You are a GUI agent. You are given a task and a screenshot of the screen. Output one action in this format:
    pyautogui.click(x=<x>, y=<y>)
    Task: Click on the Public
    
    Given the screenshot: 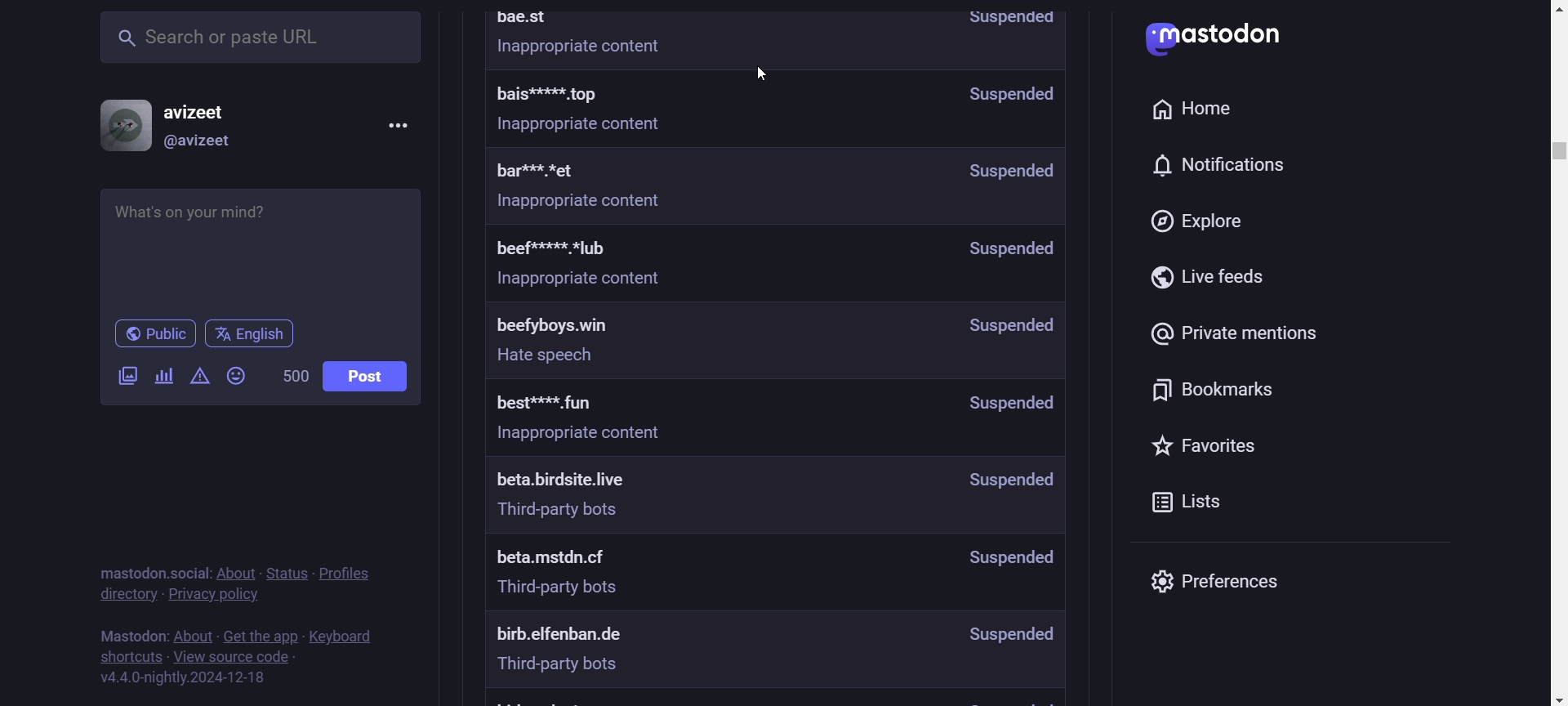 What is the action you would take?
    pyautogui.click(x=155, y=334)
    